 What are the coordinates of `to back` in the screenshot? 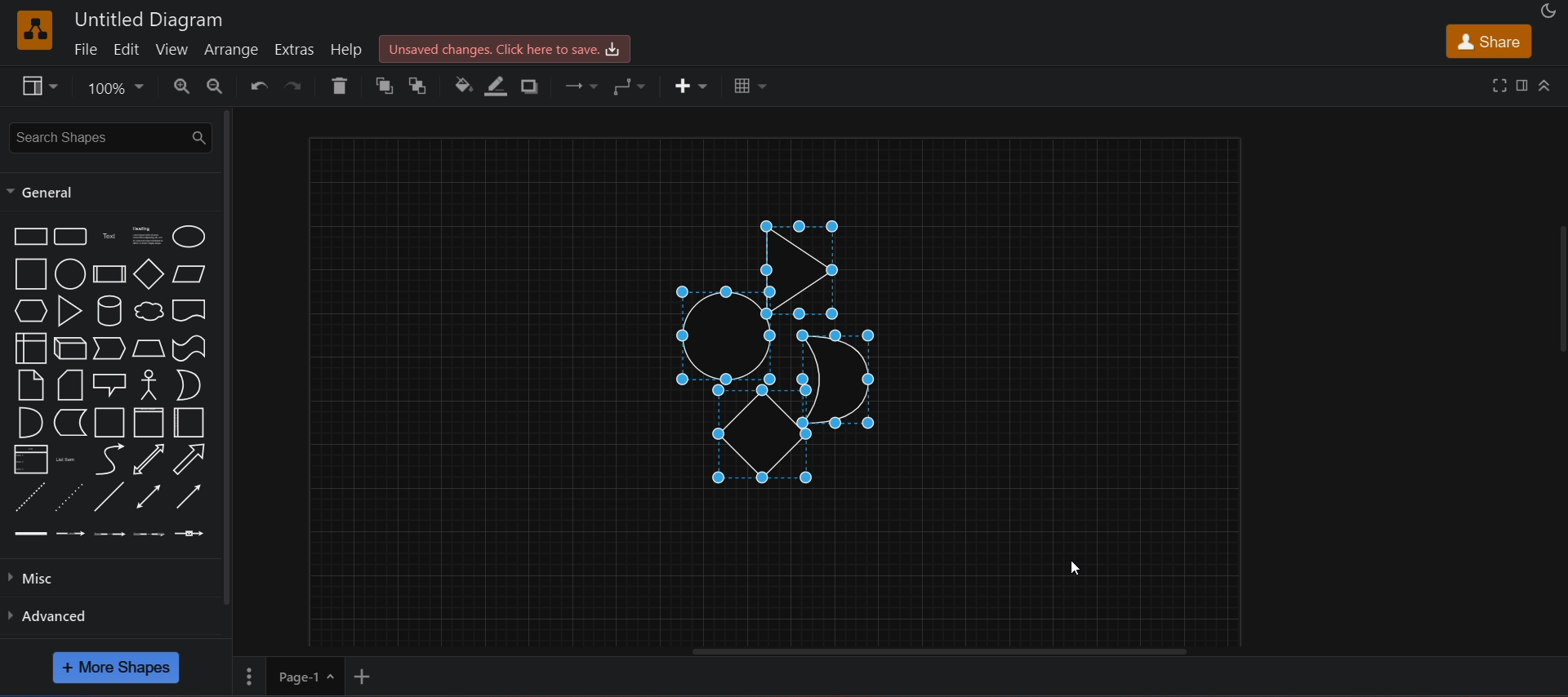 It's located at (424, 86).